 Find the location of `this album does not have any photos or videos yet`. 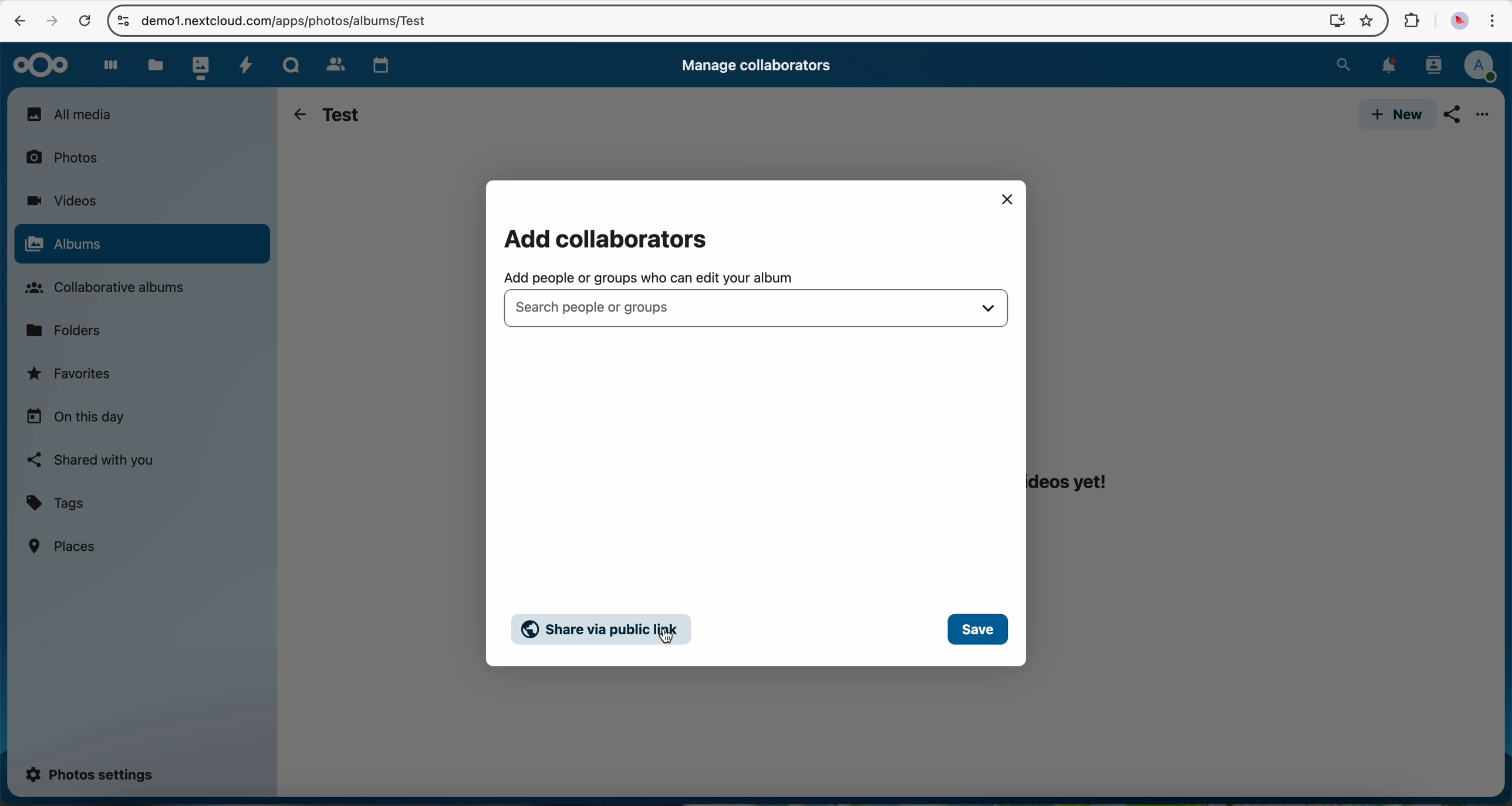

this album does not have any photos or videos yet is located at coordinates (1080, 446).